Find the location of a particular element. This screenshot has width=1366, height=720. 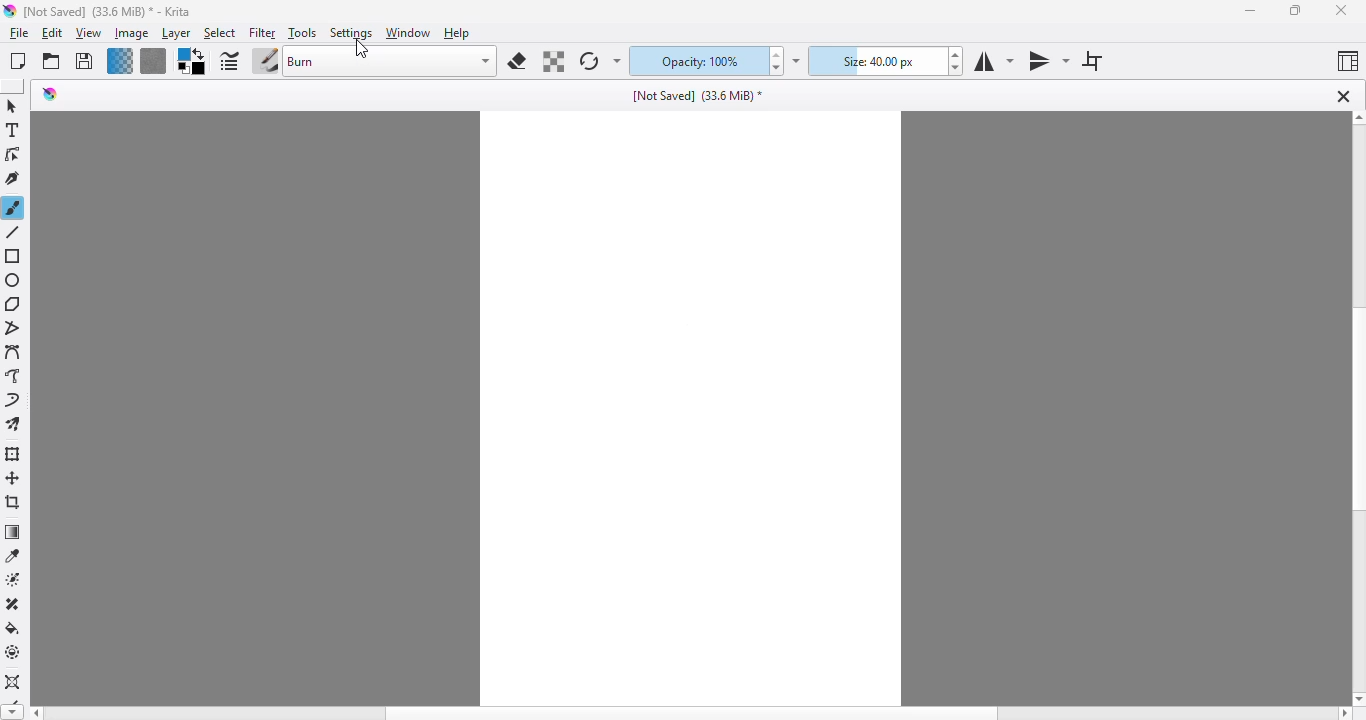

reload original preset is located at coordinates (588, 61).